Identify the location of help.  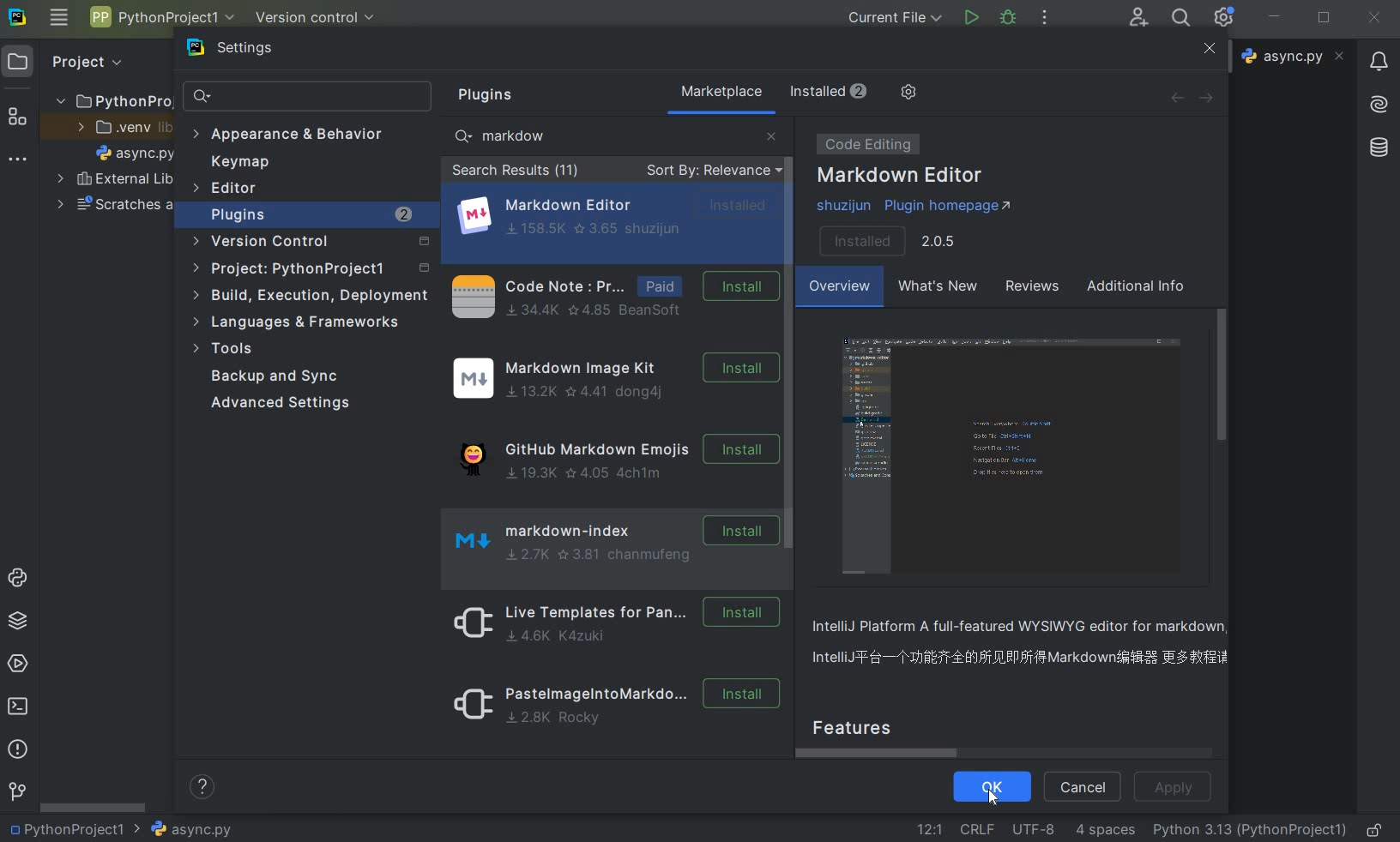
(204, 789).